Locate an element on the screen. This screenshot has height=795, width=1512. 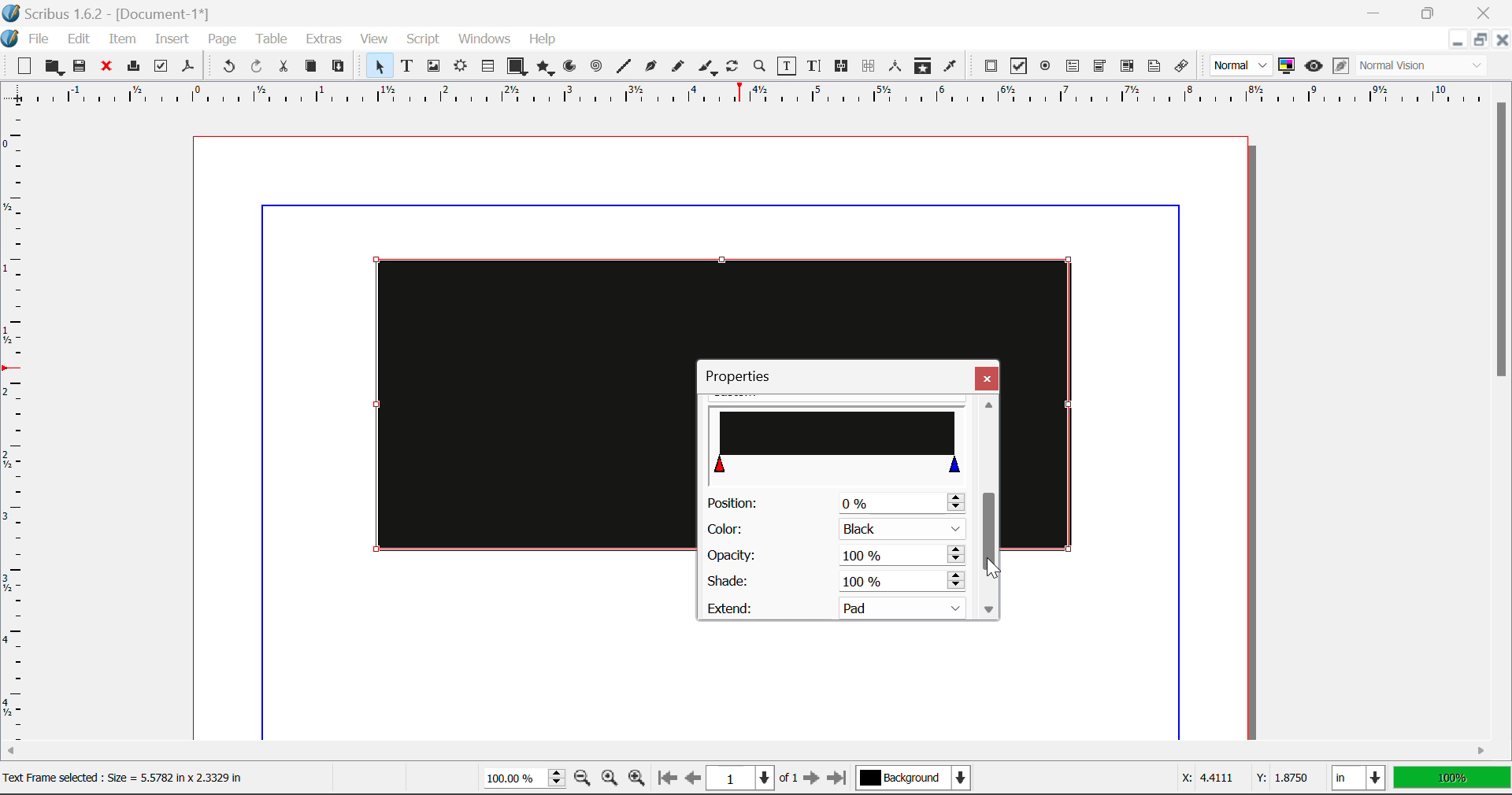
Preview Mode is located at coordinates (1241, 65).